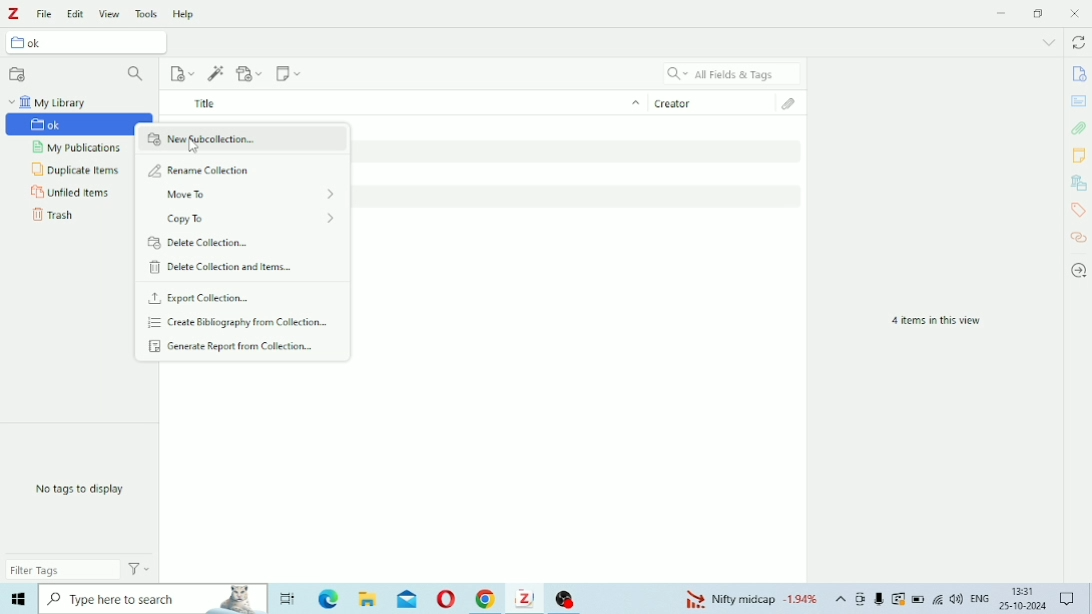  What do you see at coordinates (957, 599) in the screenshot?
I see `Speakers` at bounding box center [957, 599].